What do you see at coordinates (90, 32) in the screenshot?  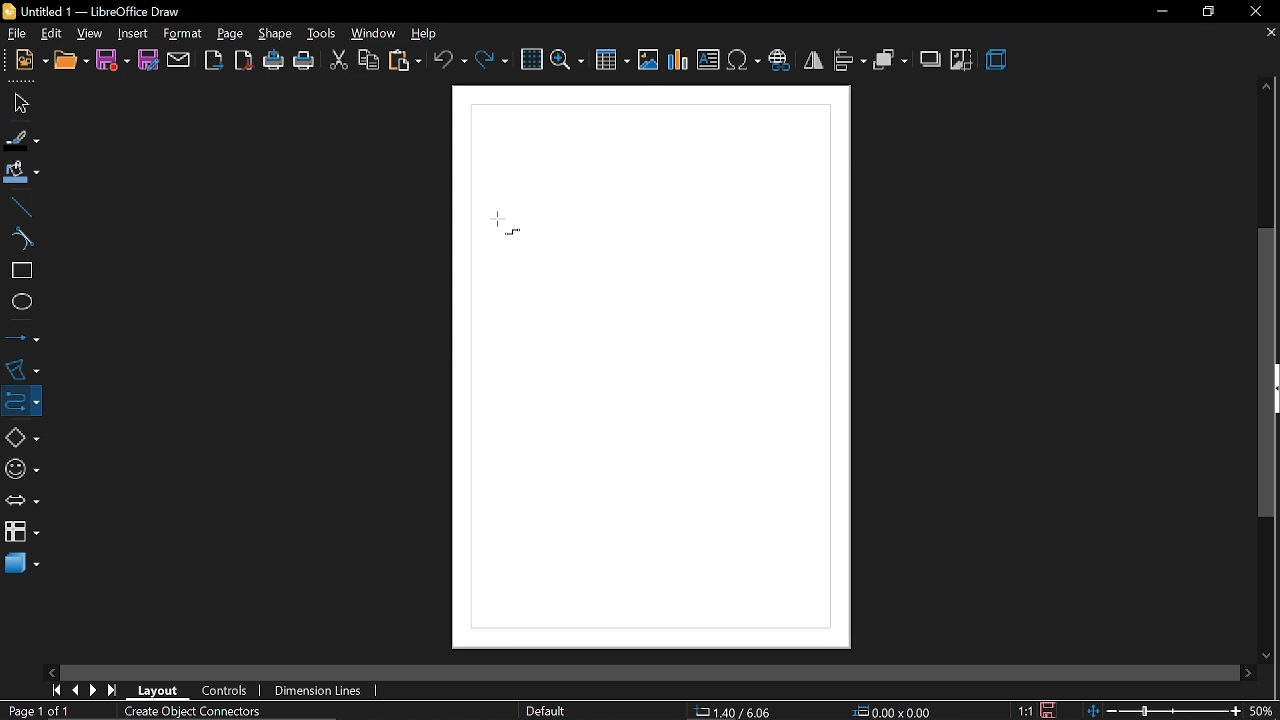 I see `view` at bounding box center [90, 32].